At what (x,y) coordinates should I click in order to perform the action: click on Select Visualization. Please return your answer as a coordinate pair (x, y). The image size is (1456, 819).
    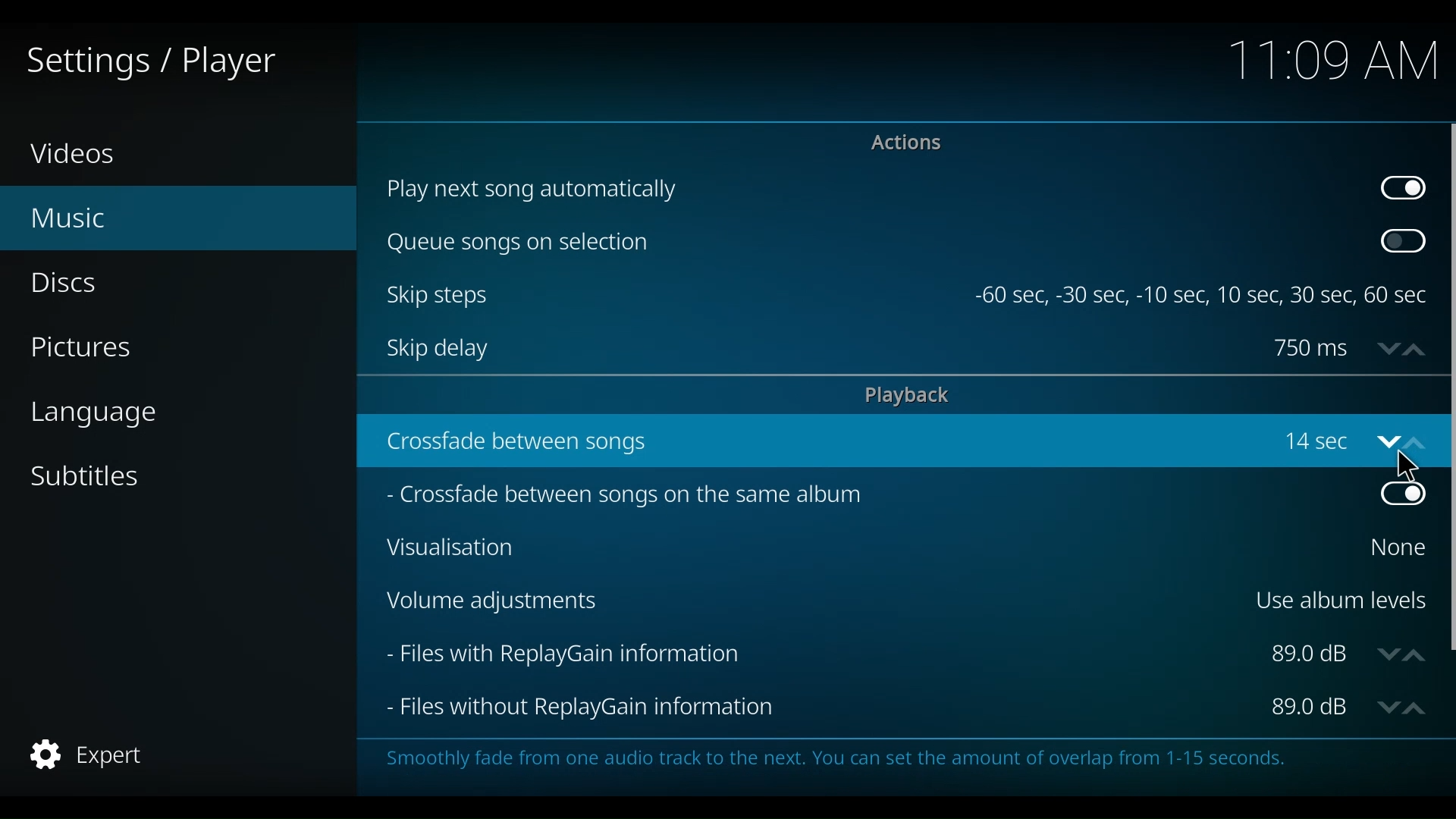
    Looking at the image, I should click on (1392, 547).